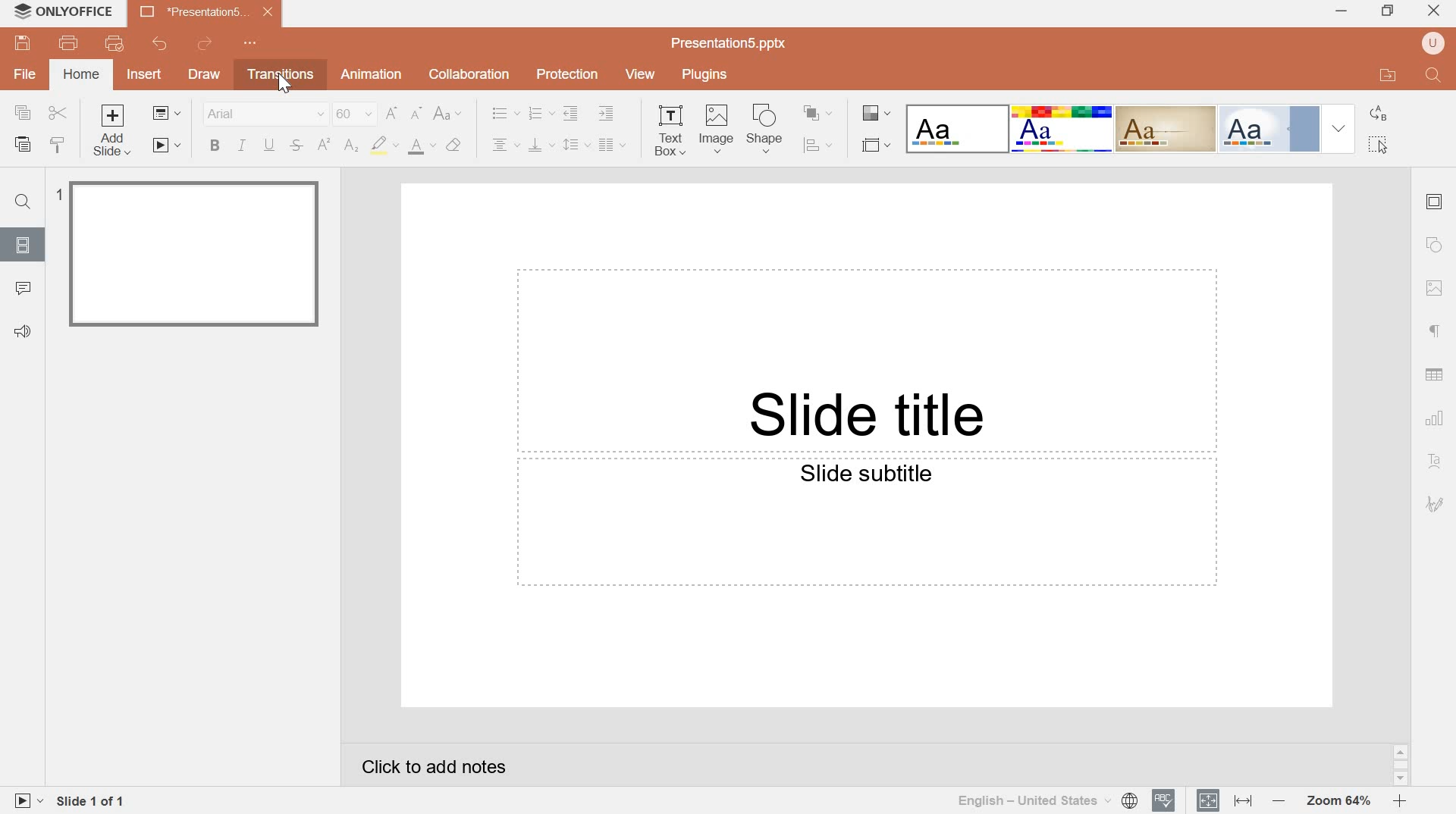  What do you see at coordinates (1434, 9) in the screenshot?
I see `close` at bounding box center [1434, 9].